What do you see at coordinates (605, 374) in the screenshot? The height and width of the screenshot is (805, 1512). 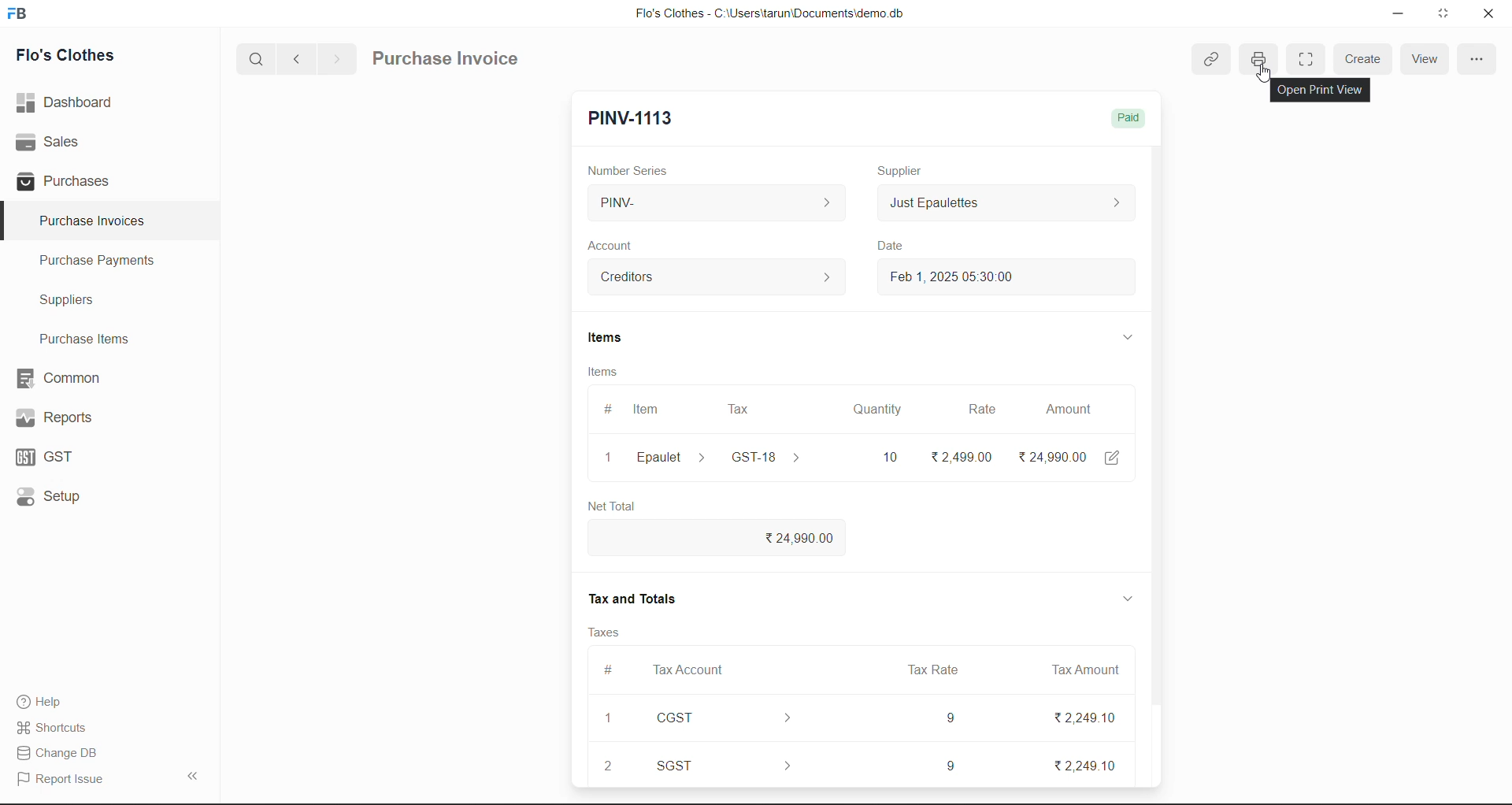 I see `Items` at bounding box center [605, 374].